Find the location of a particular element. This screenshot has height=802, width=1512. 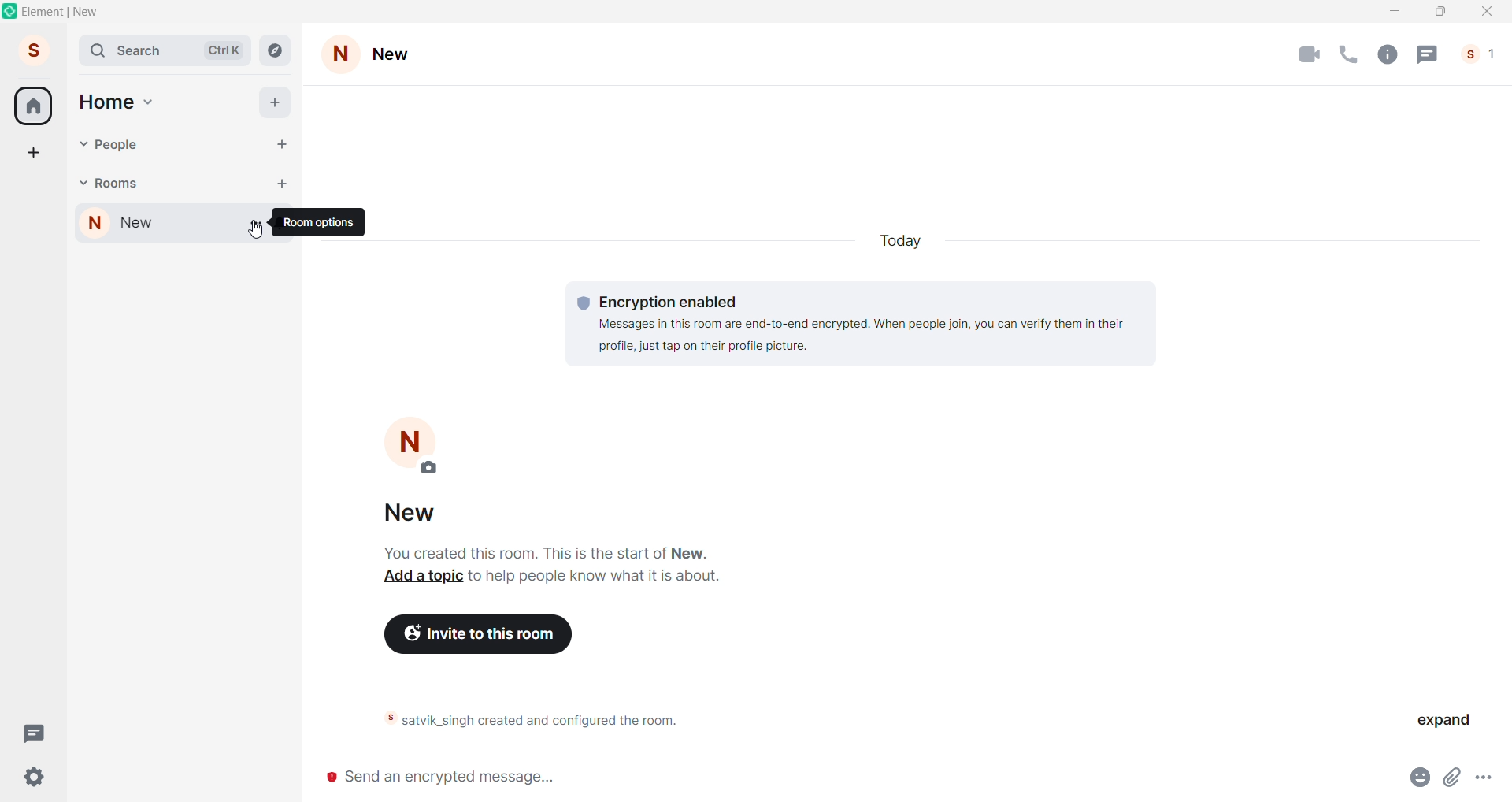

Emoji is located at coordinates (1424, 776).